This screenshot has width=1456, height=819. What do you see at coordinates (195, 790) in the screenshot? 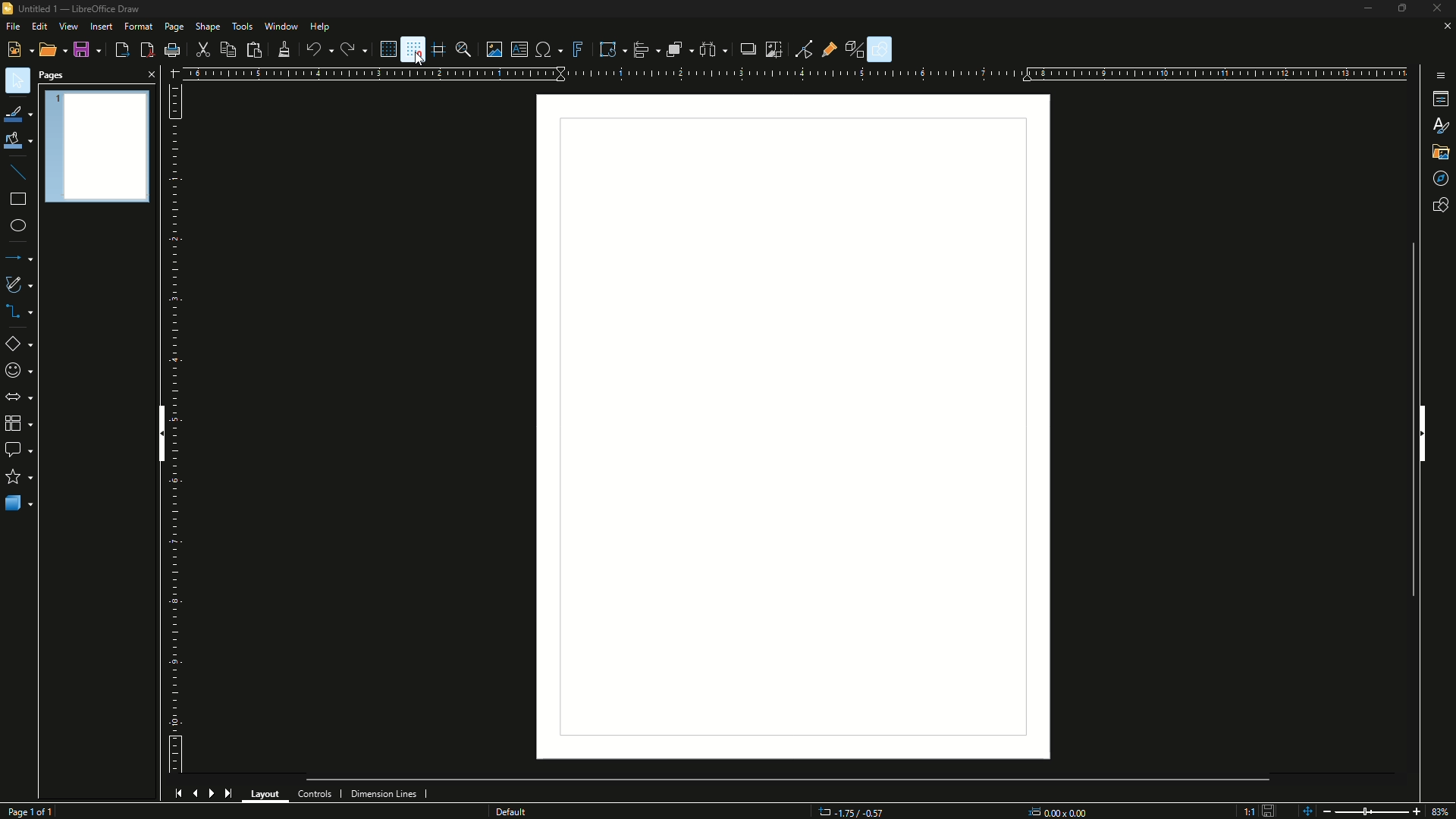
I see `Previous page` at bounding box center [195, 790].